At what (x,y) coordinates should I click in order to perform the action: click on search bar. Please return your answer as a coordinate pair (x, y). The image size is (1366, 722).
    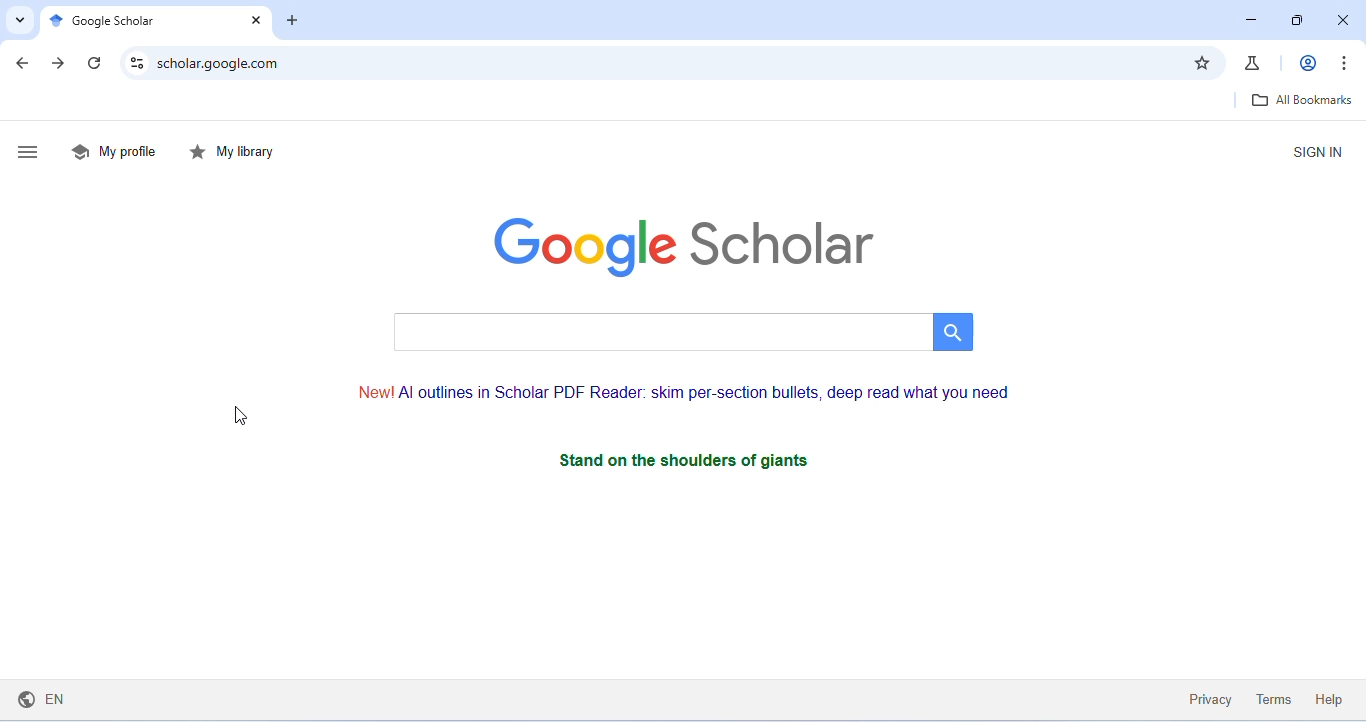
    Looking at the image, I should click on (680, 332).